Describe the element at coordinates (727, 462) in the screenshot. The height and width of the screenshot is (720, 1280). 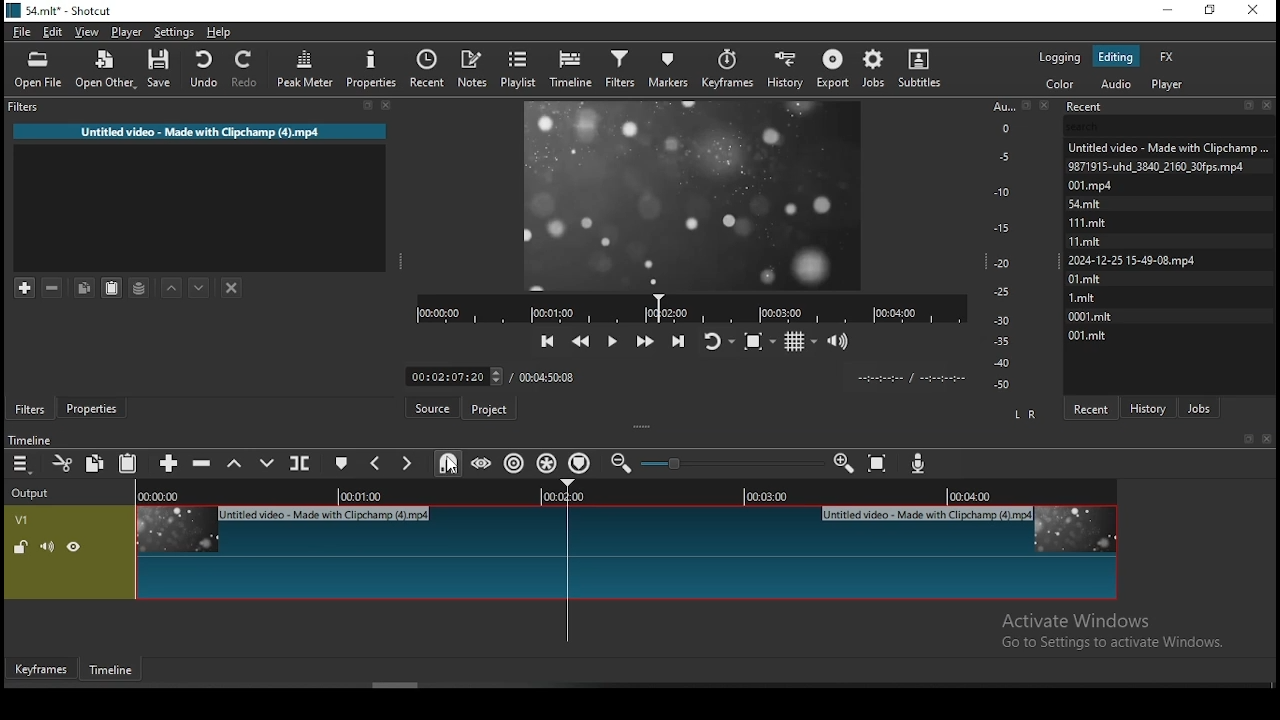
I see `zoom in or zoom out slider` at that location.